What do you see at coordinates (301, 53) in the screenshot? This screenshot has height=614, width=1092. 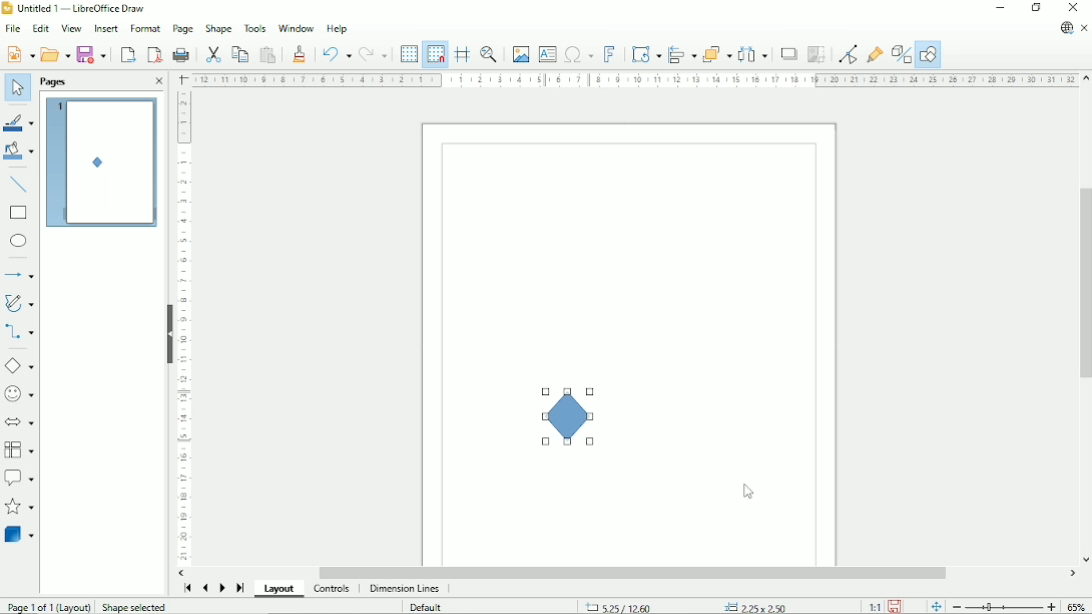 I see `Clone formatting` at bounding box center [301, 53].